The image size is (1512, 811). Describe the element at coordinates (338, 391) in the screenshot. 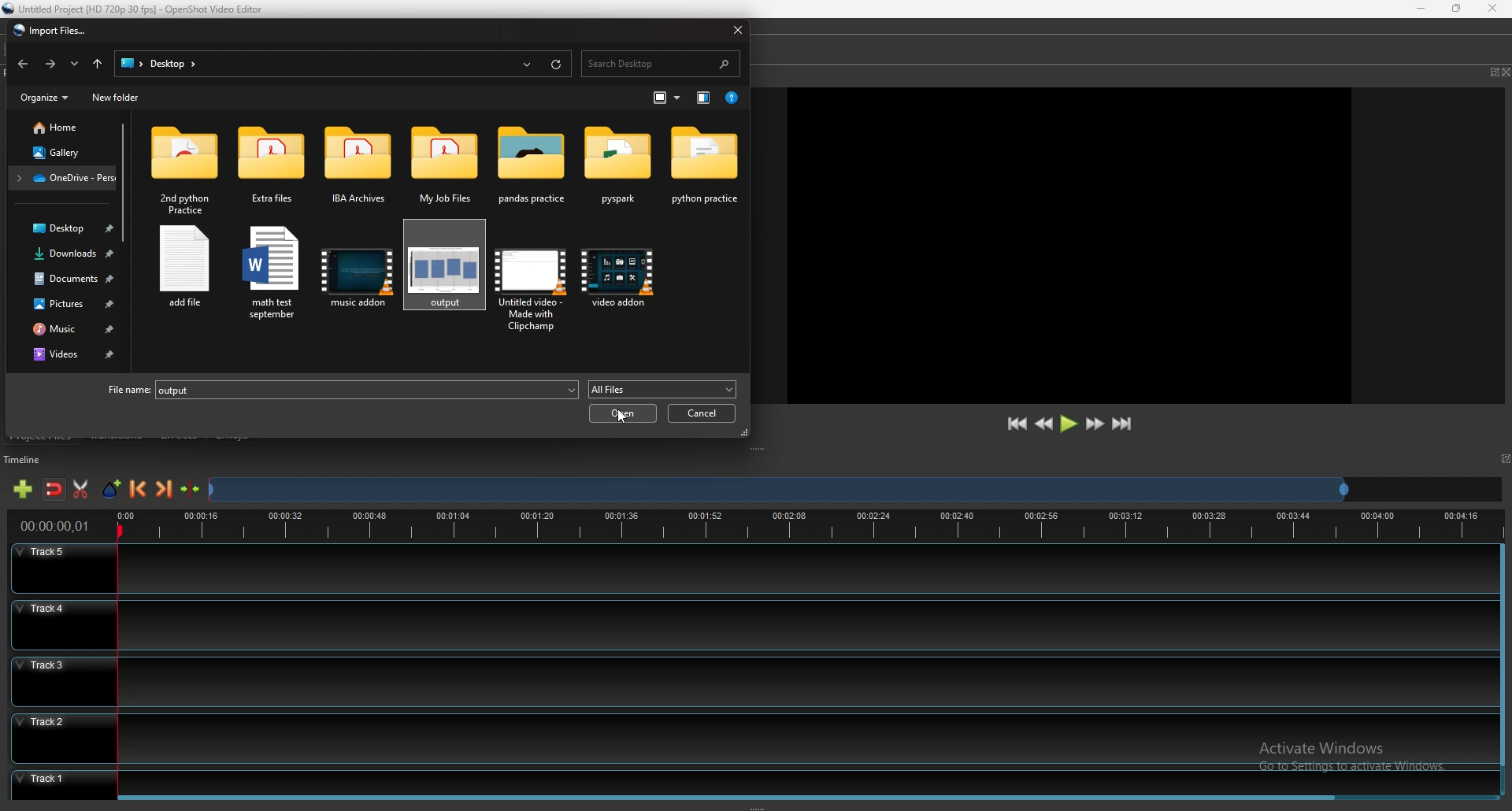

I see `file` at that location.